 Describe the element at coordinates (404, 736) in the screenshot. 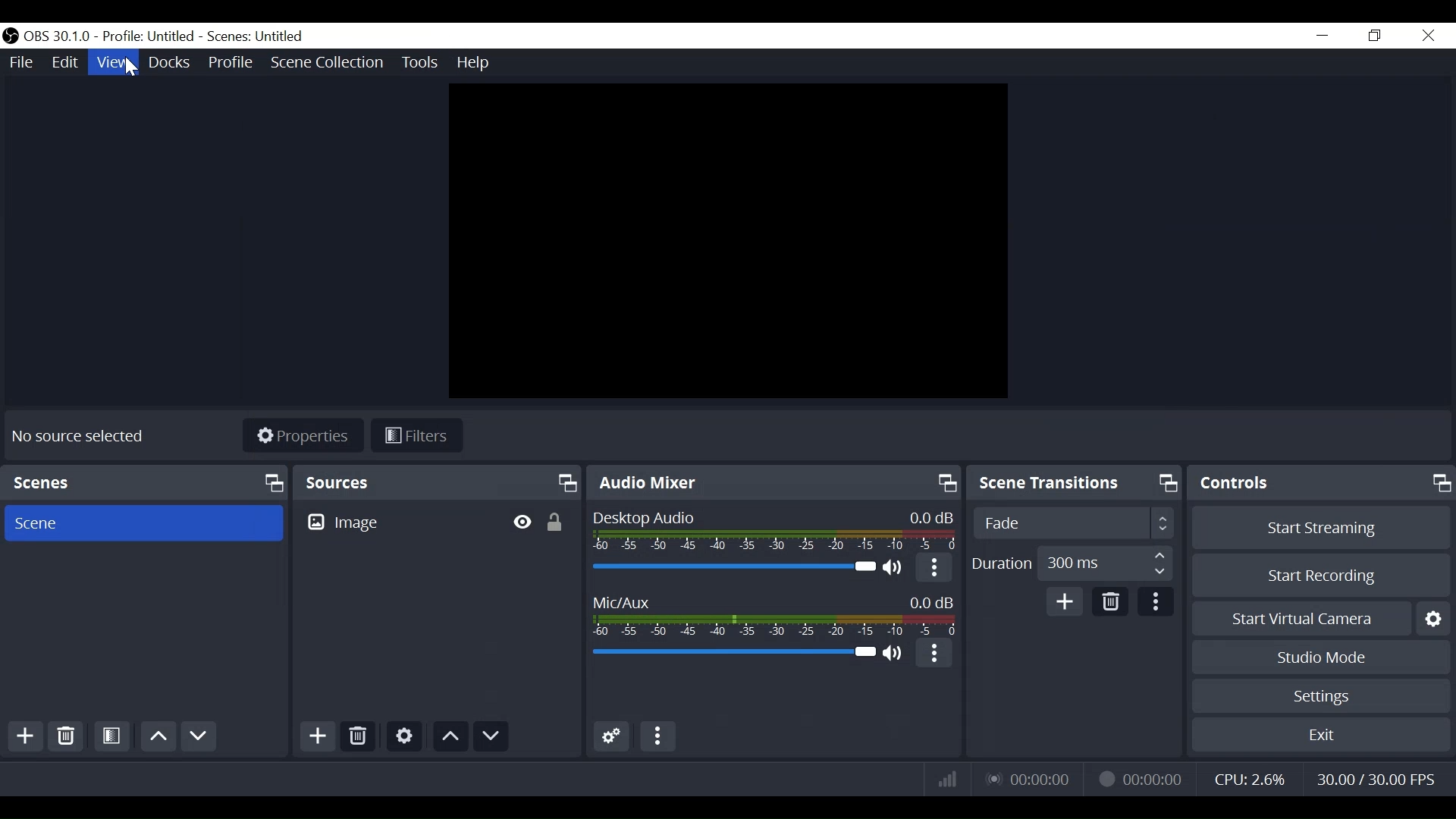

I see `Settings` at that location.